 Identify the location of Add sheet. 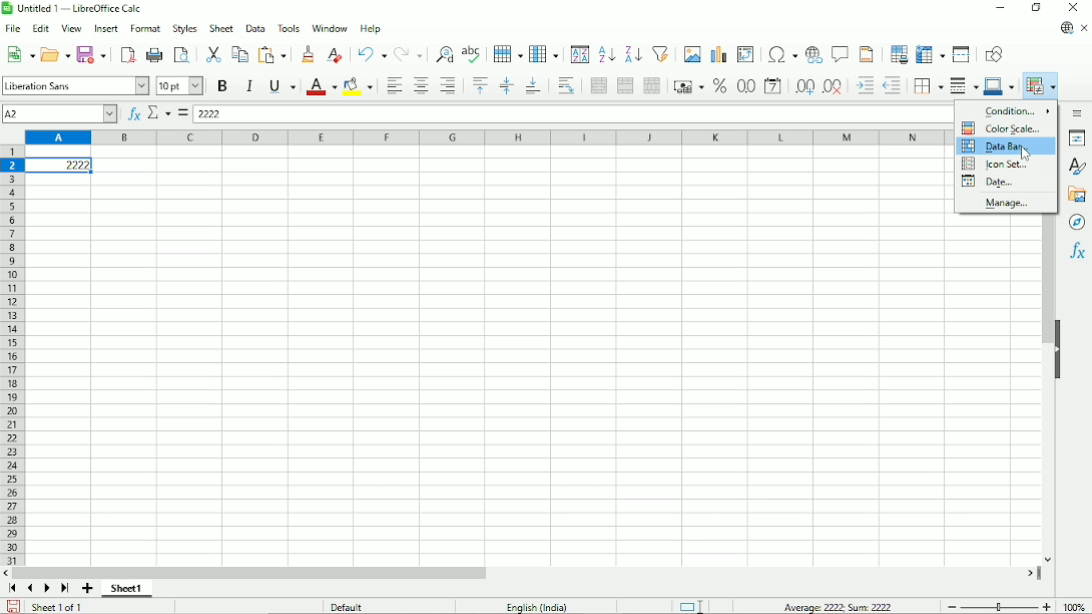
(87, 589).